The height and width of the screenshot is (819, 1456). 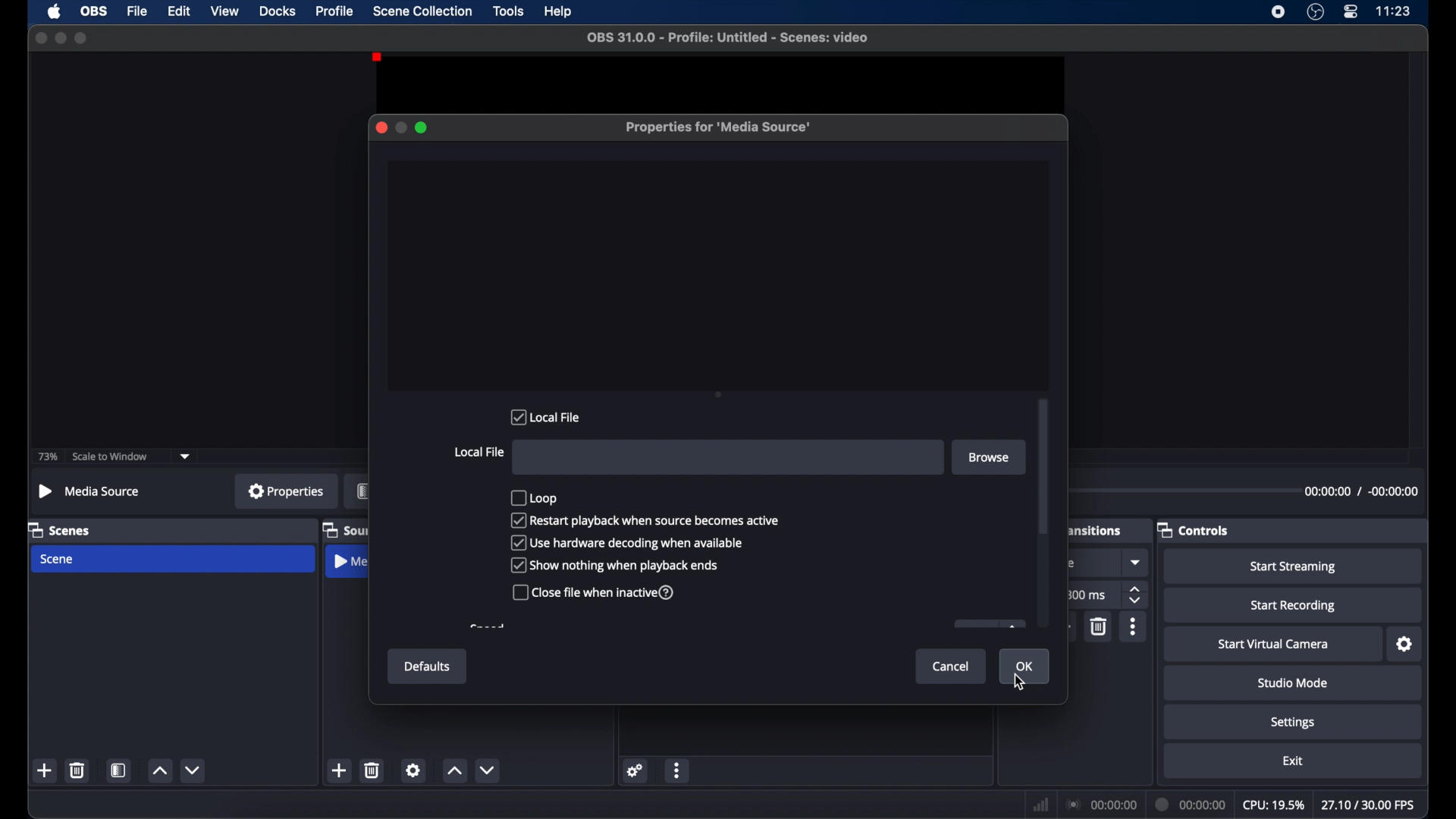 What do you see at coordinates (479, 452) in the screenshot?
I see `local file` at bounding box center [479, 452].